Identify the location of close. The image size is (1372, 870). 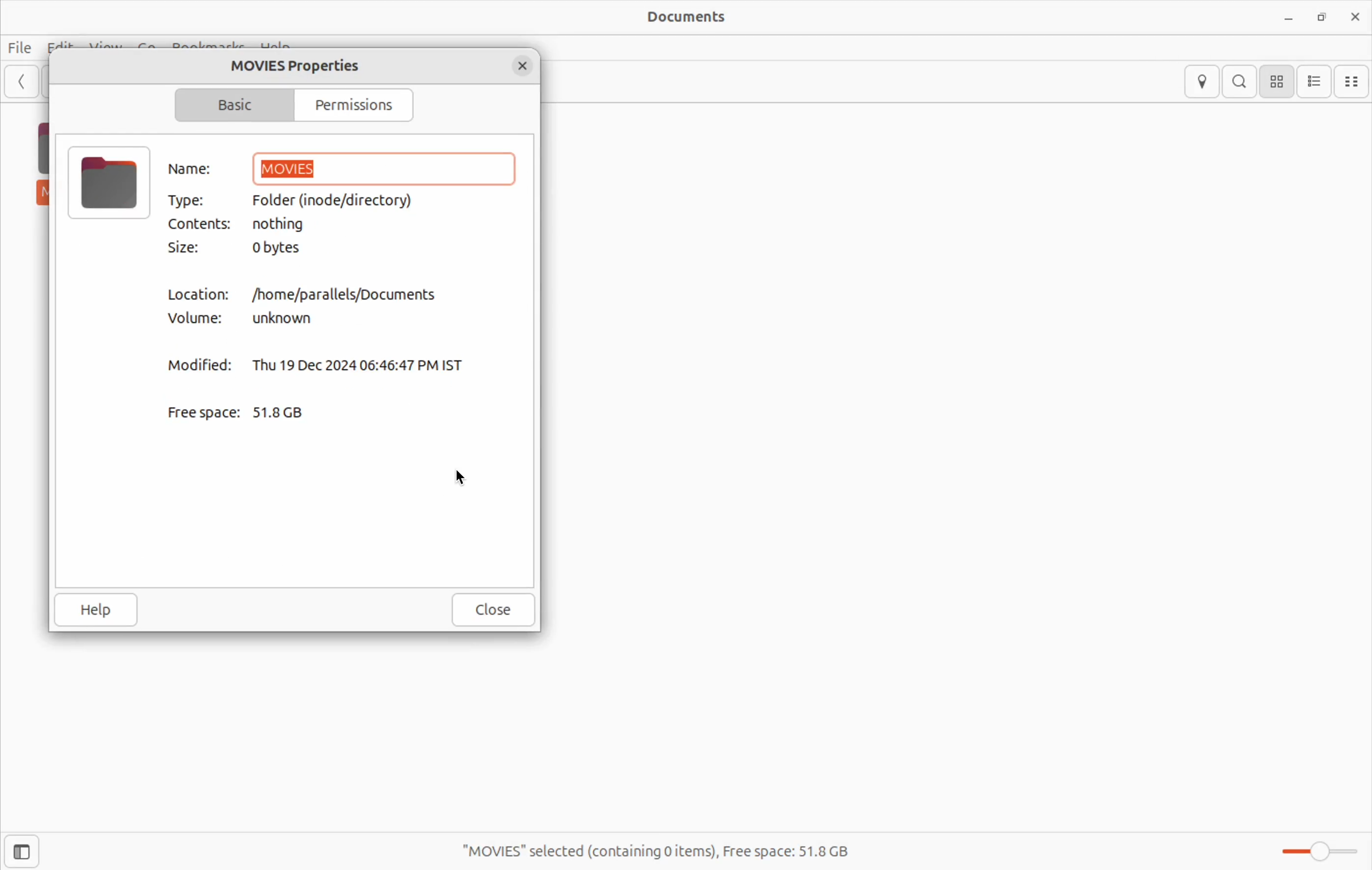
(1355, 17).